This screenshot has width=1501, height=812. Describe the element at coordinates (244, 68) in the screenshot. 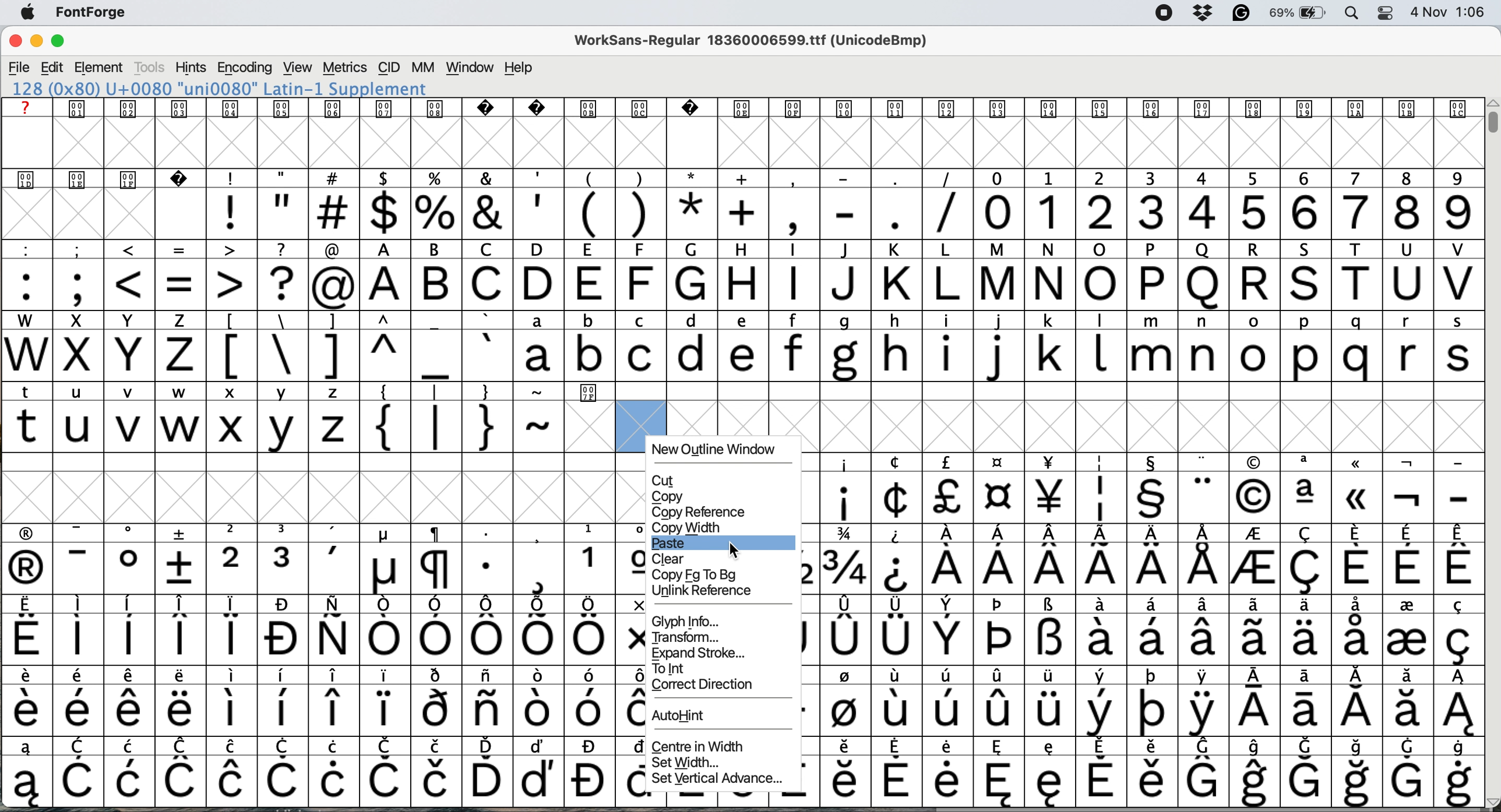

I see `encoding` at that location.